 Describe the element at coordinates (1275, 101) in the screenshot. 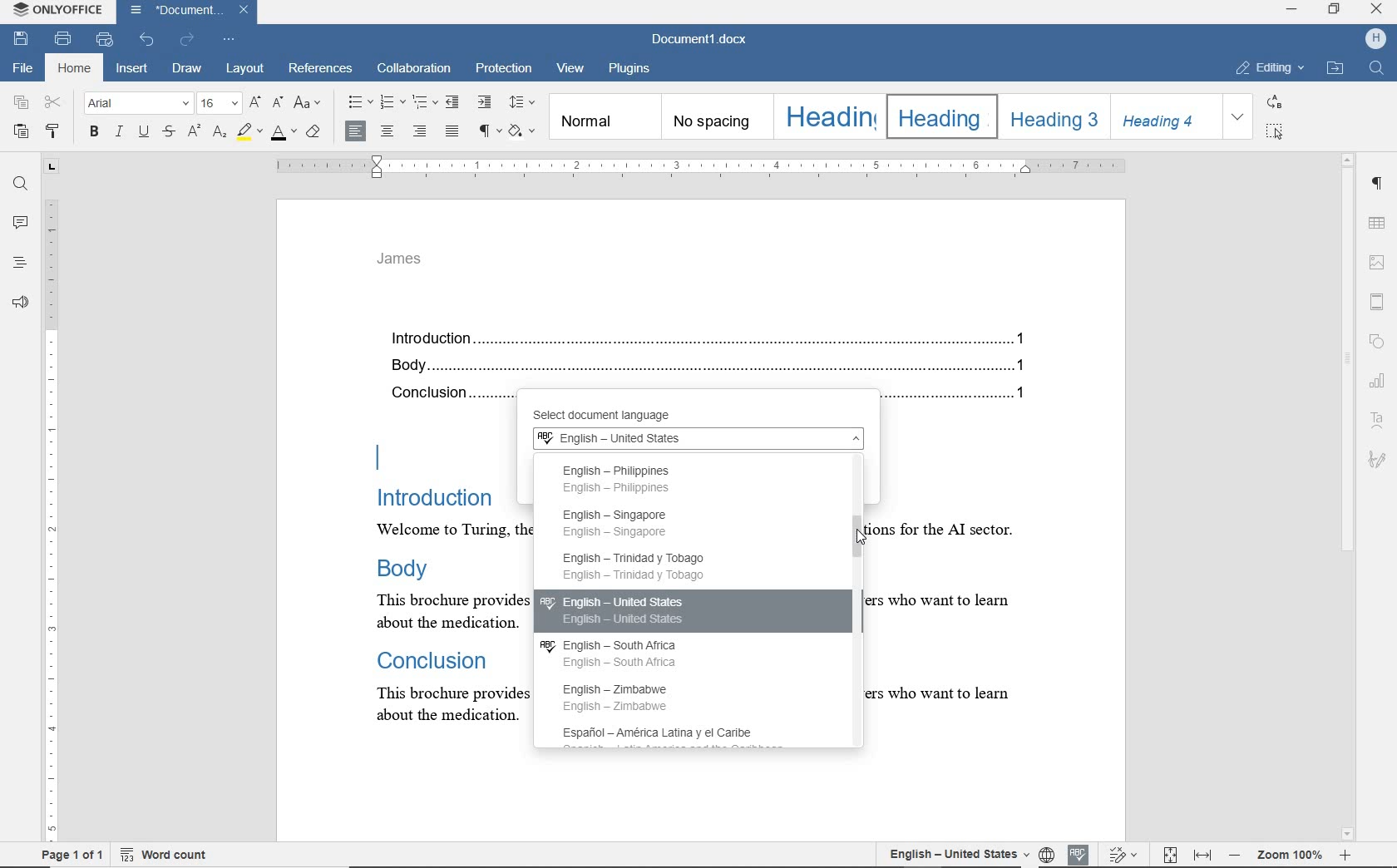

I see `REPLACE` at that location.